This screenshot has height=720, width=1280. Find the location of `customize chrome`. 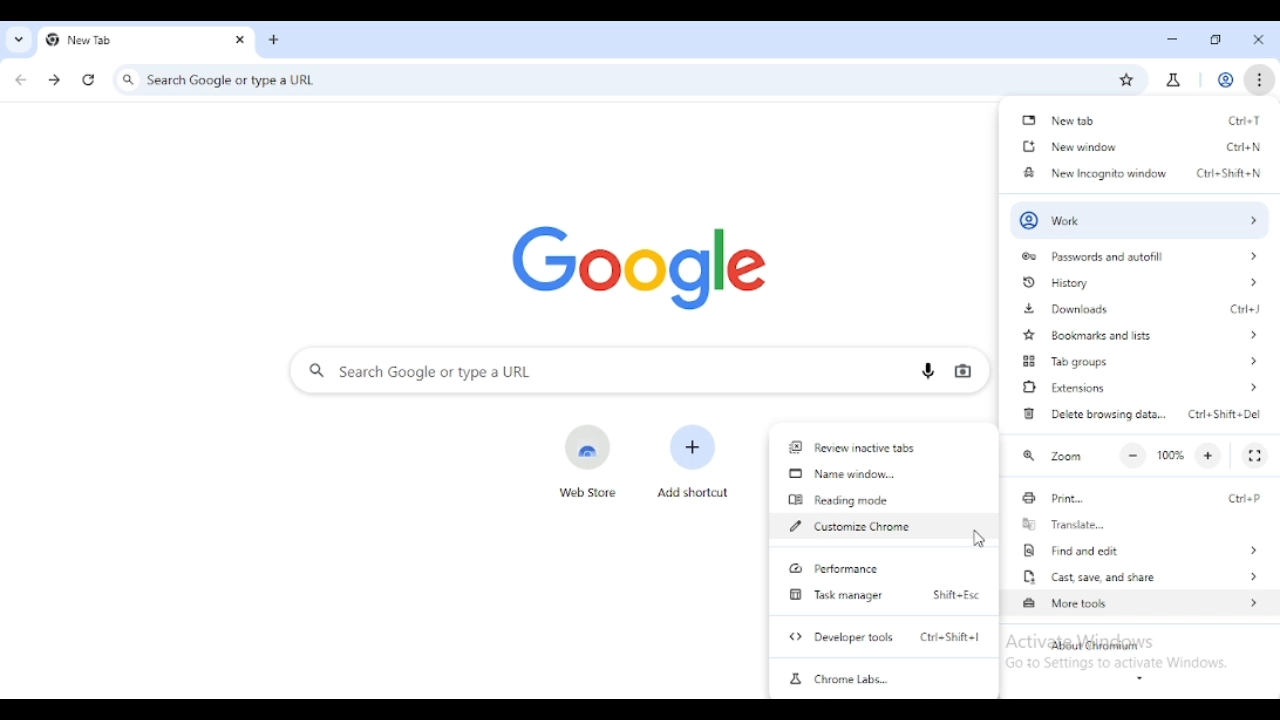

customize chrome is located at coordinates (852, 527).